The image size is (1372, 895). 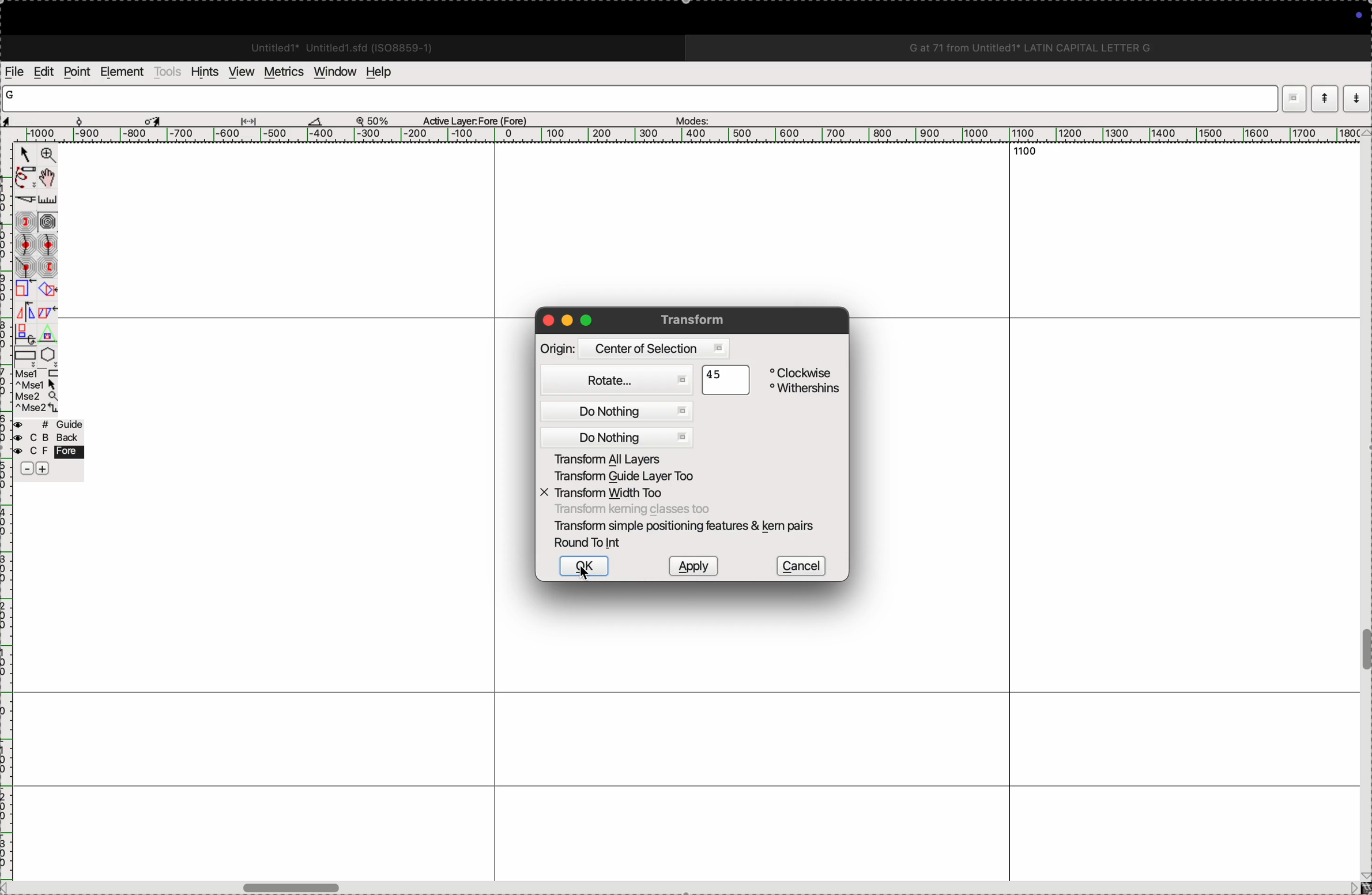 I want to click on apply, so click(x=692, y=565).